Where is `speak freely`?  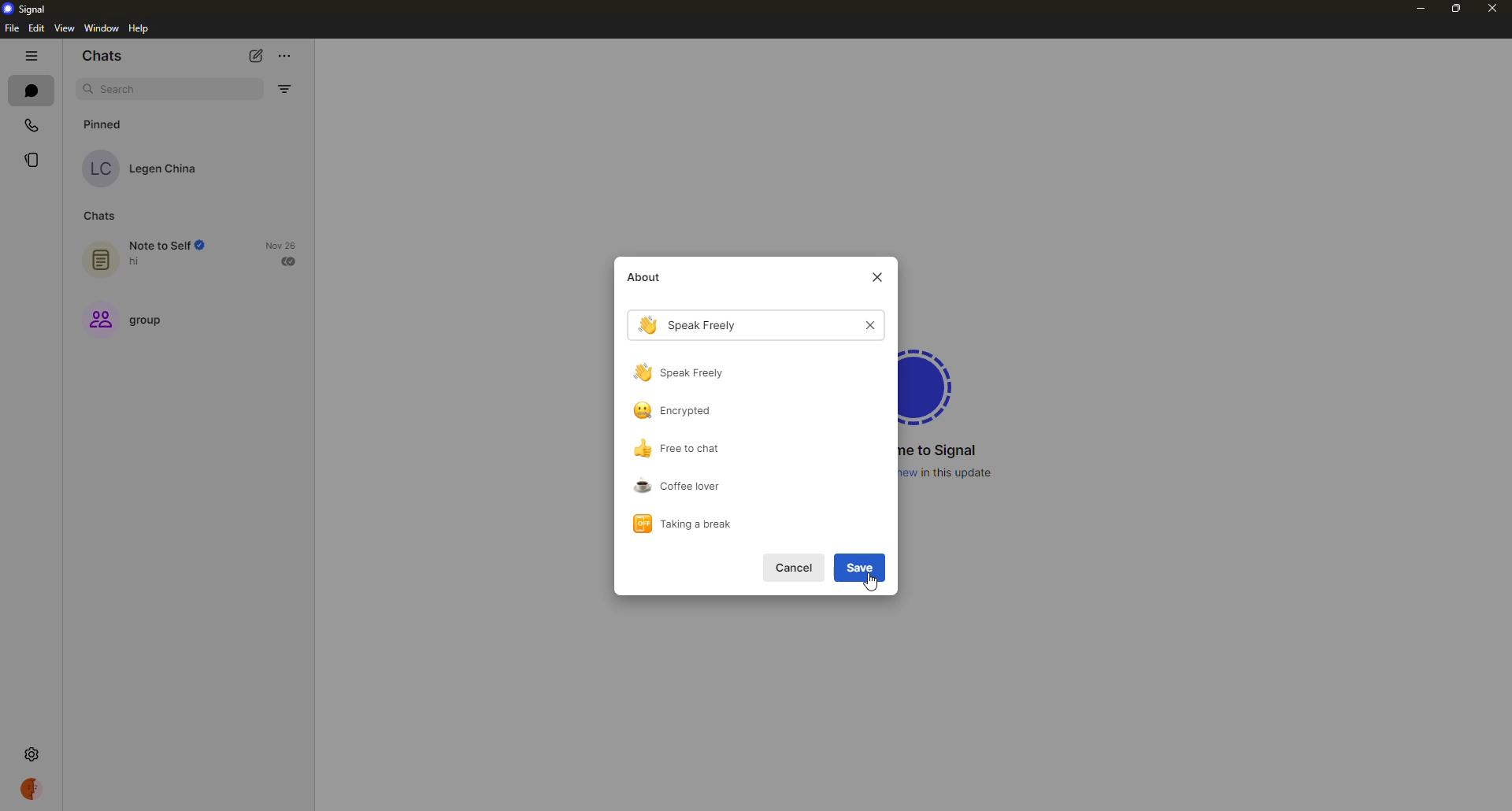 speak freely is located at coordinates (689, 325).